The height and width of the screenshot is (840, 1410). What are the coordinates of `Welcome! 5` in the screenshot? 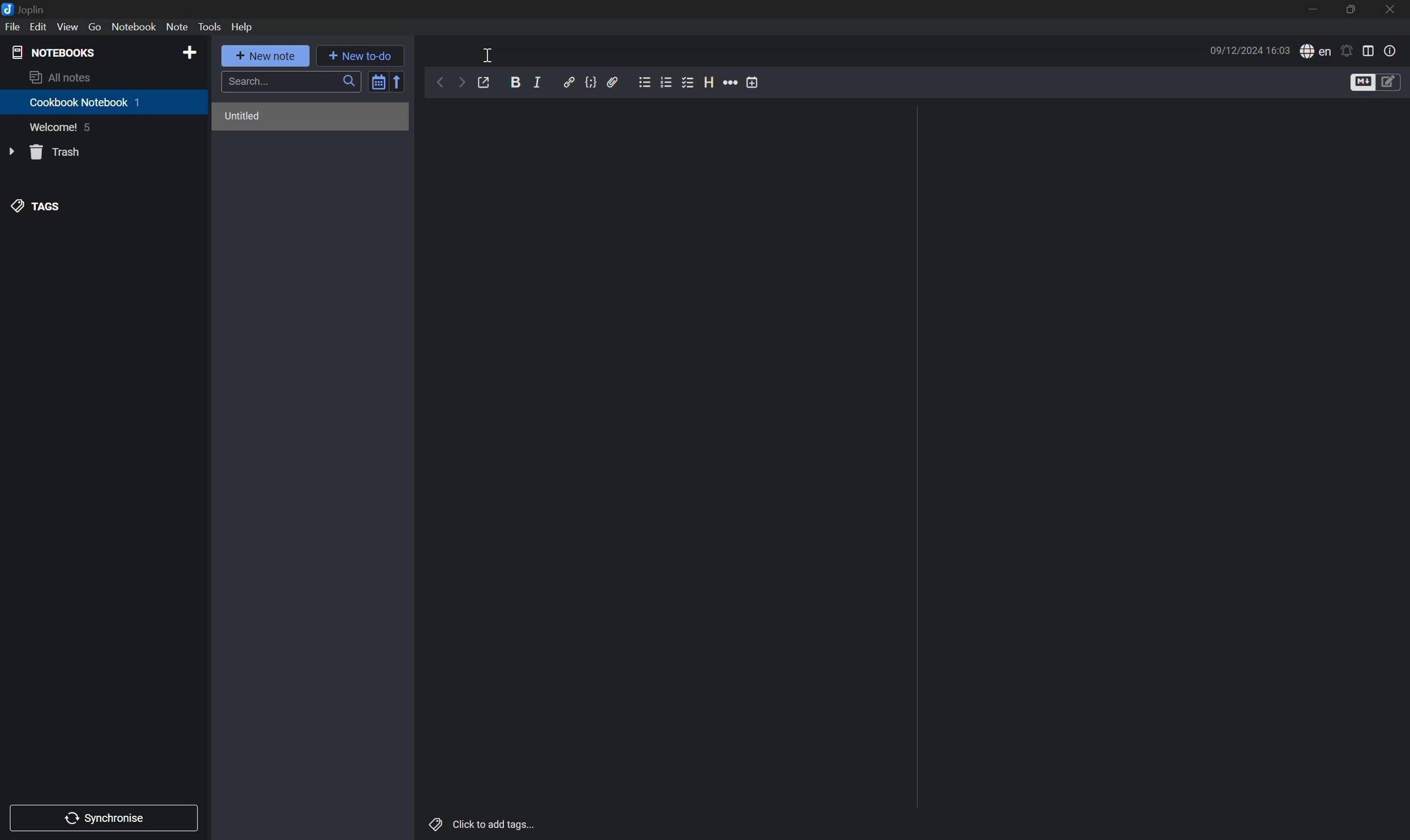 It's located at (63, 129).